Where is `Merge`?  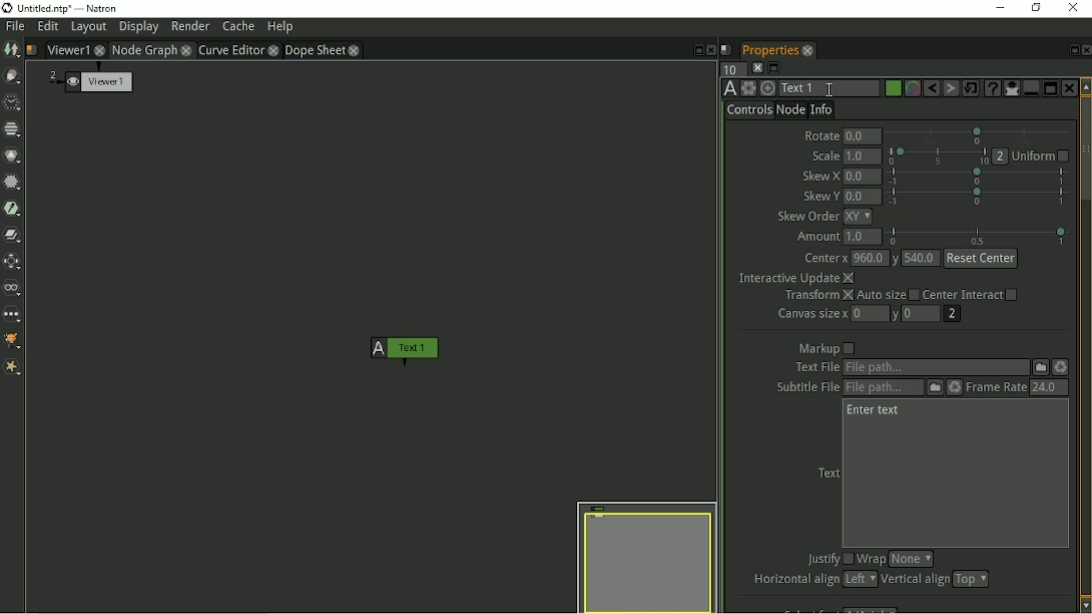 Merge is located at coordinates (14, 236).